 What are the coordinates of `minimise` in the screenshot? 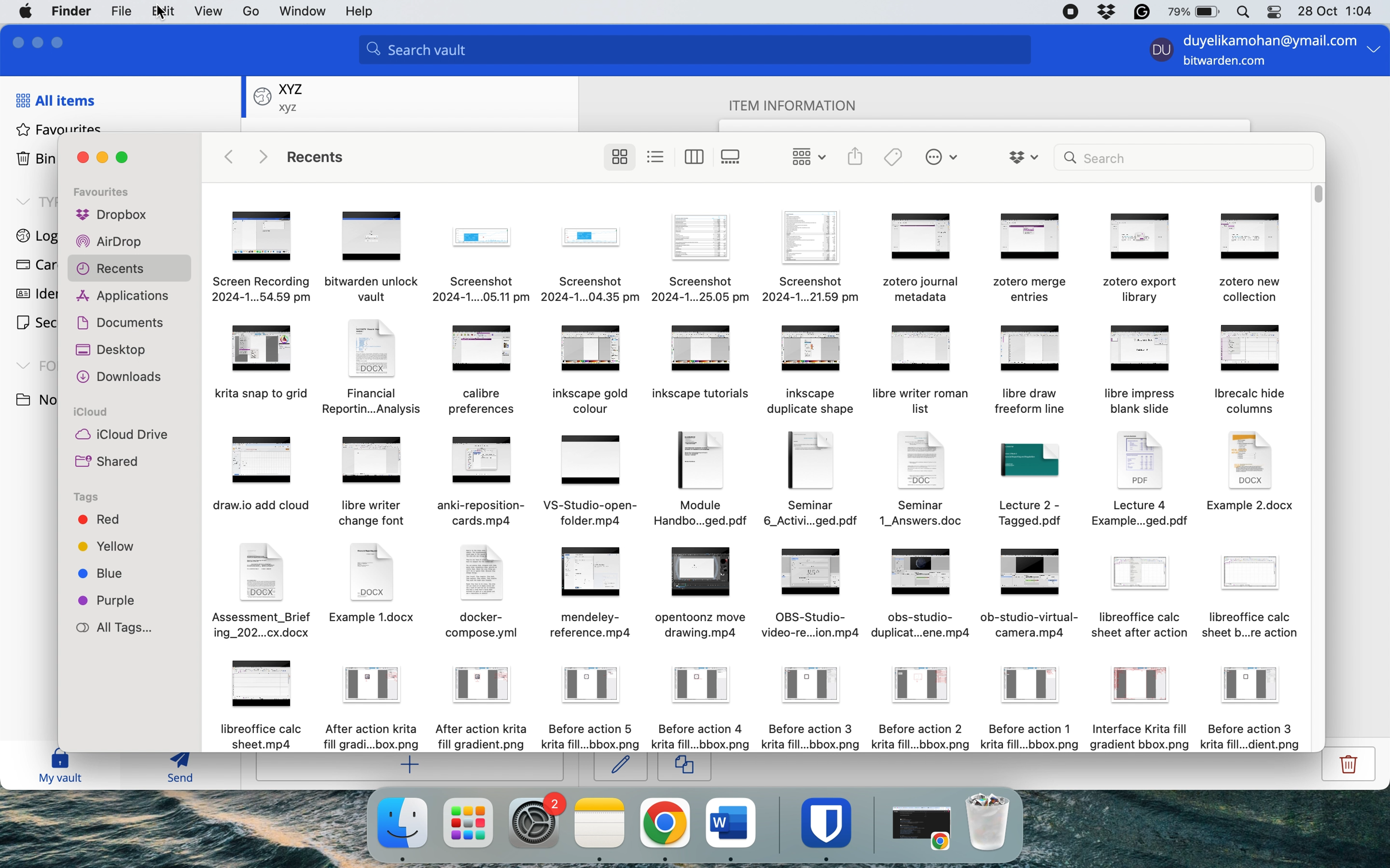 It's located at (40, 40).